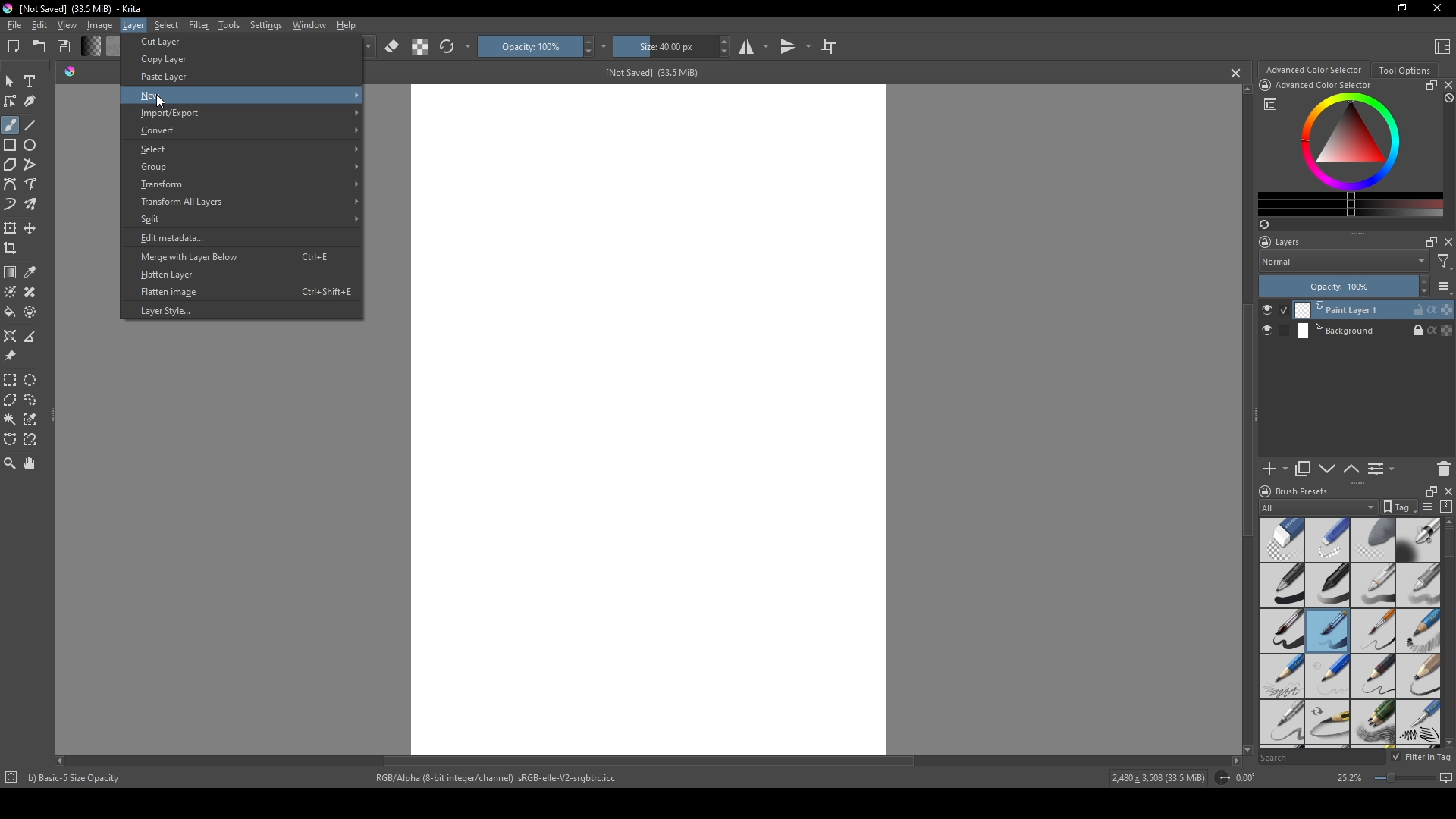 This screenshot has height=819, width=1456. Describe the element at coordinates (1274, 309) in the screenshot. I see `check button` at that location.